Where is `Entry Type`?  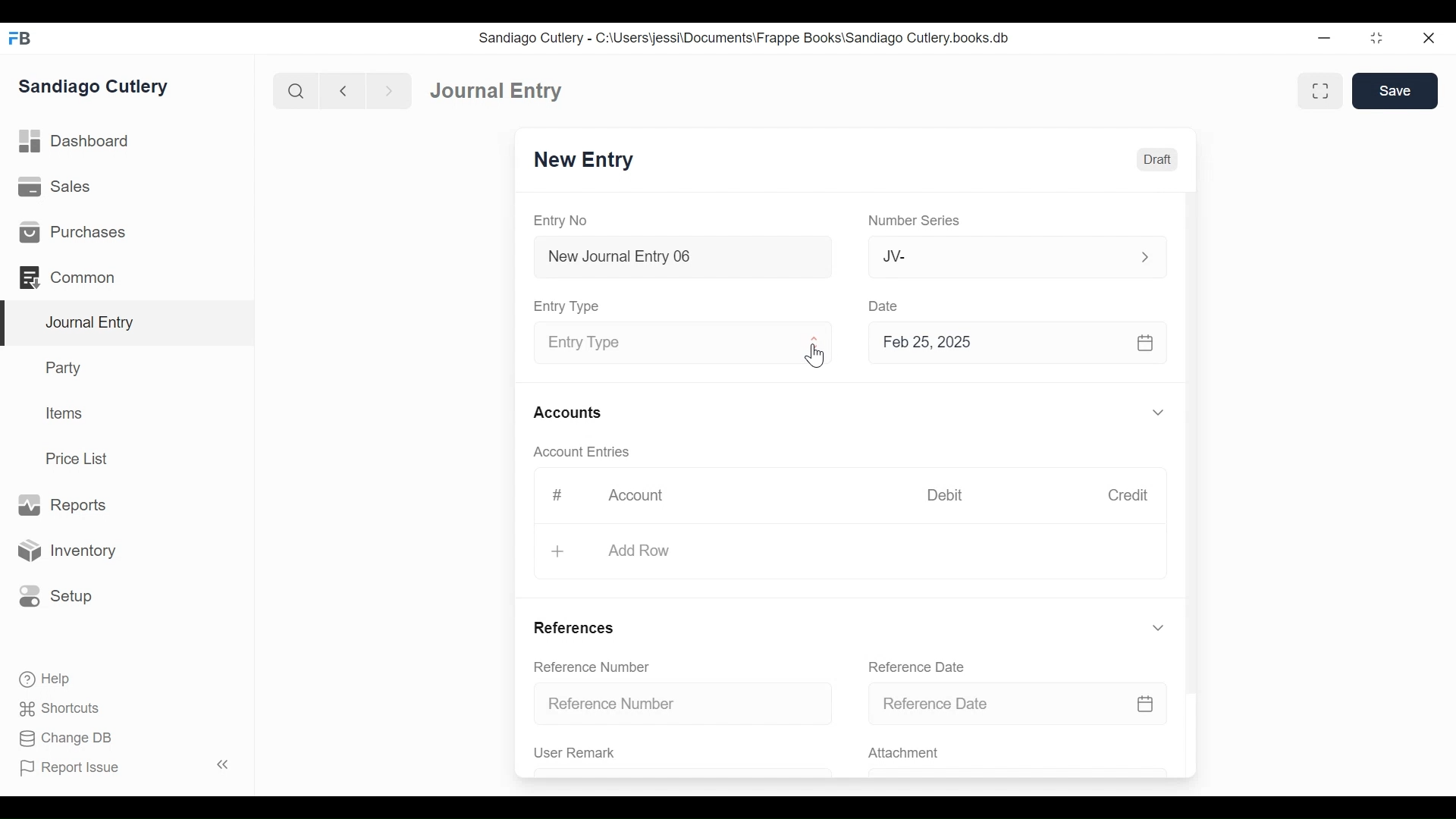 Entry Type is located at coordinates (670, 344).